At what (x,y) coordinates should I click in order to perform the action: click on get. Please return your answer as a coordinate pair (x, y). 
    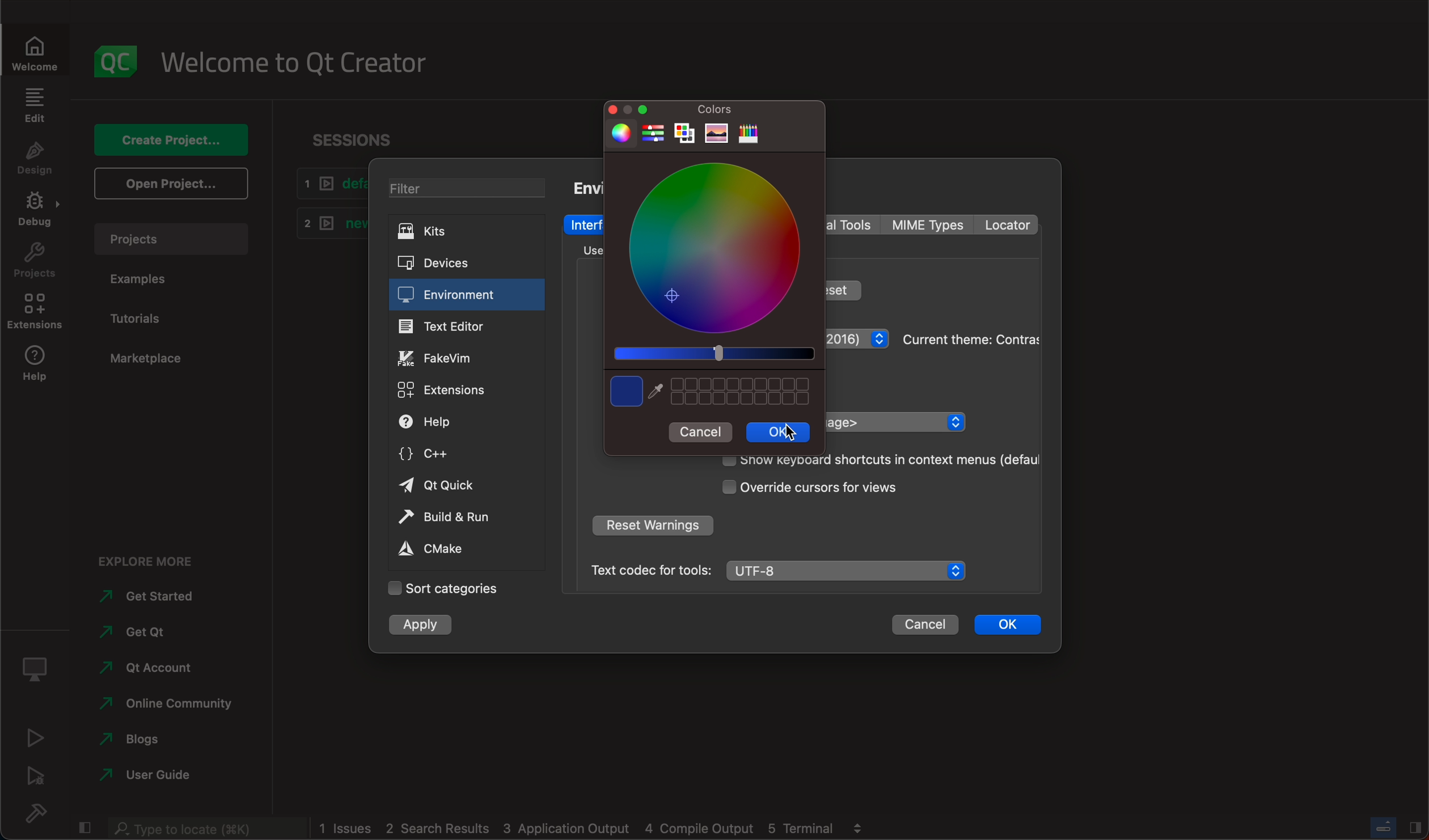
    Looking at the image, I should click on (143, 629).